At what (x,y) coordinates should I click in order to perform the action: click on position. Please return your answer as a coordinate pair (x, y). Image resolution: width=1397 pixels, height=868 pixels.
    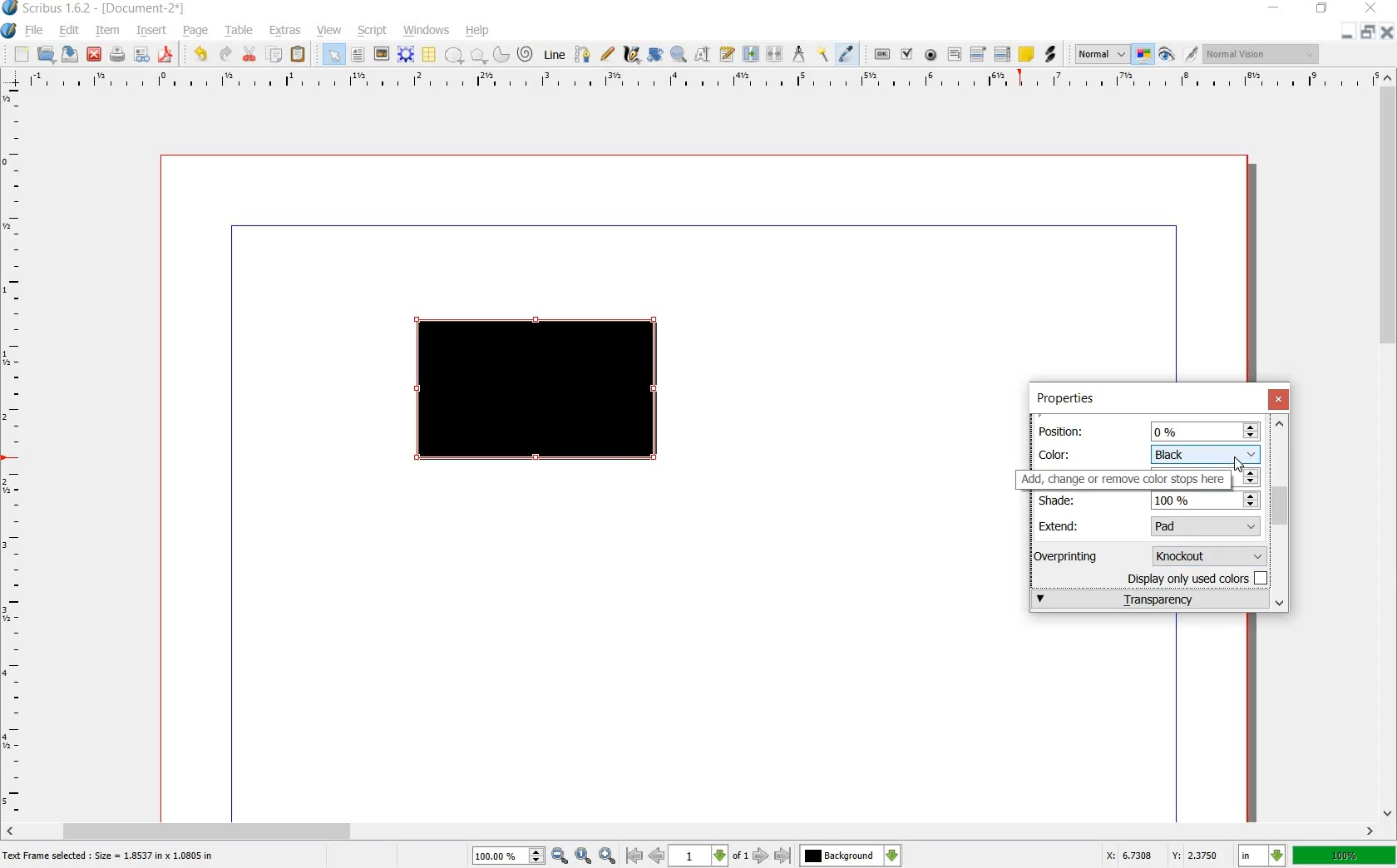
    Looking at the image, I should click on (1064, 430).